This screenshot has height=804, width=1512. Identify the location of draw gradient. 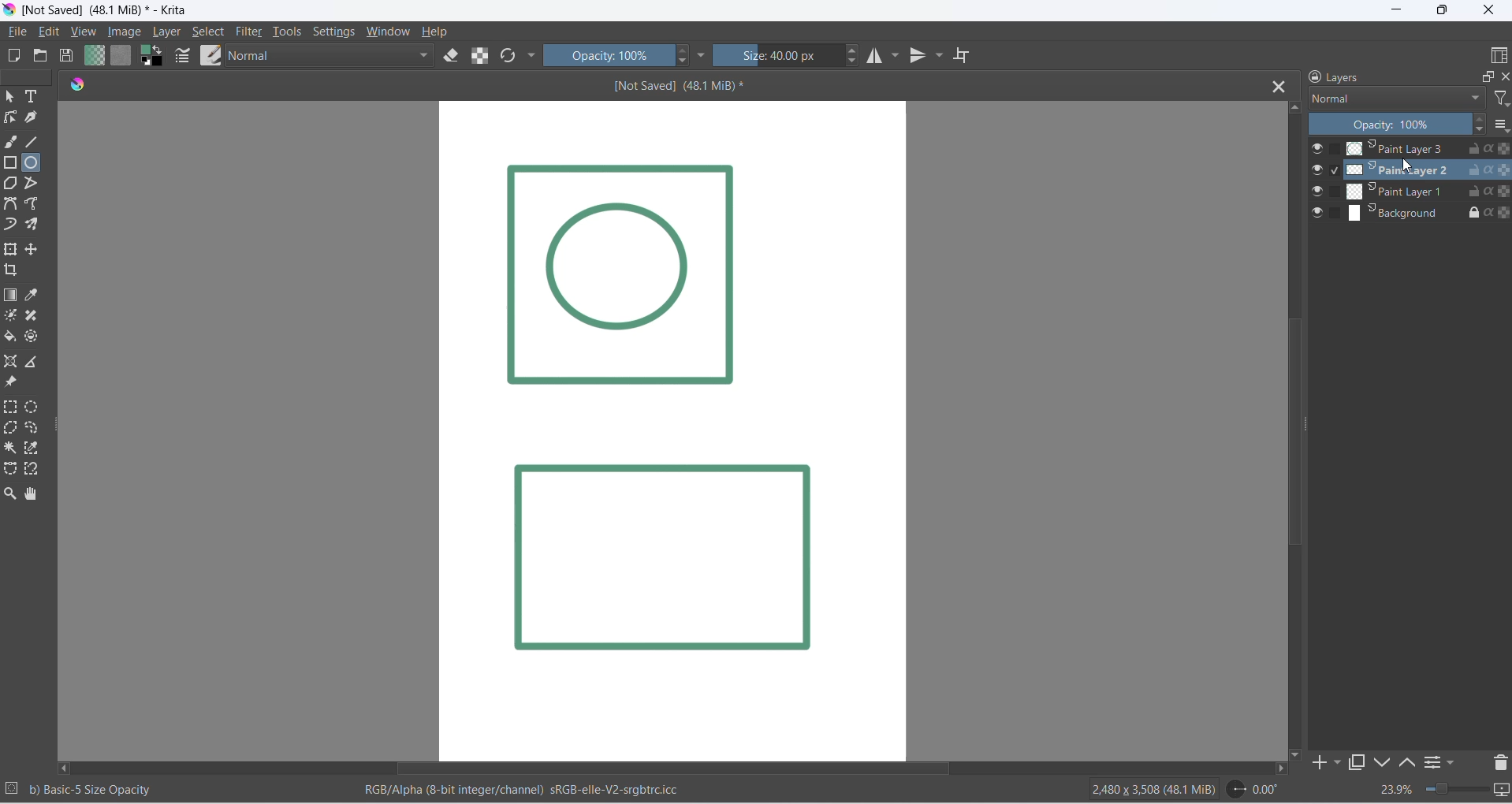
(11, 296).